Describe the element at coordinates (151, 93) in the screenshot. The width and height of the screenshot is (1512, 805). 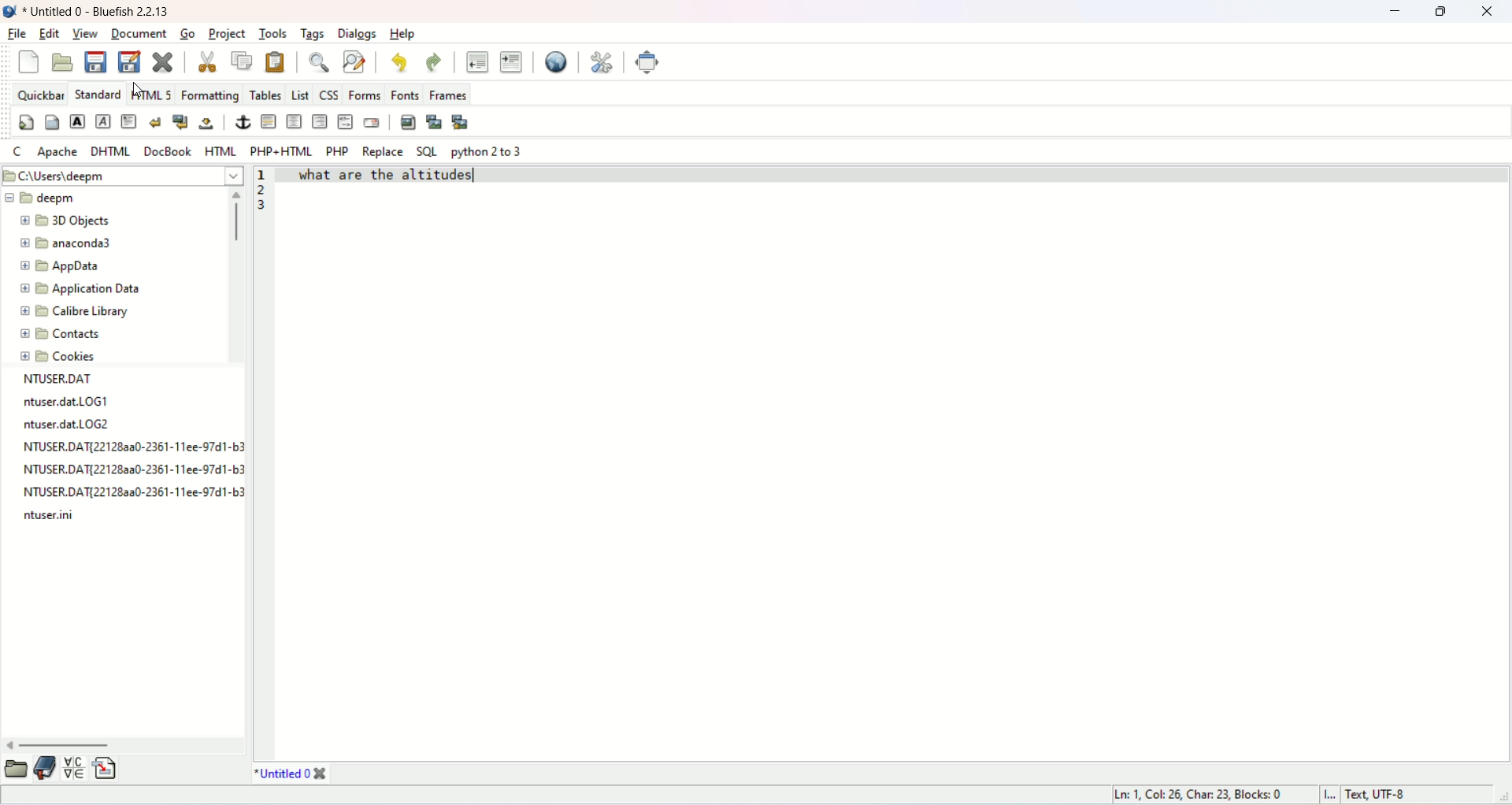
I see `HTML 5` at that location.